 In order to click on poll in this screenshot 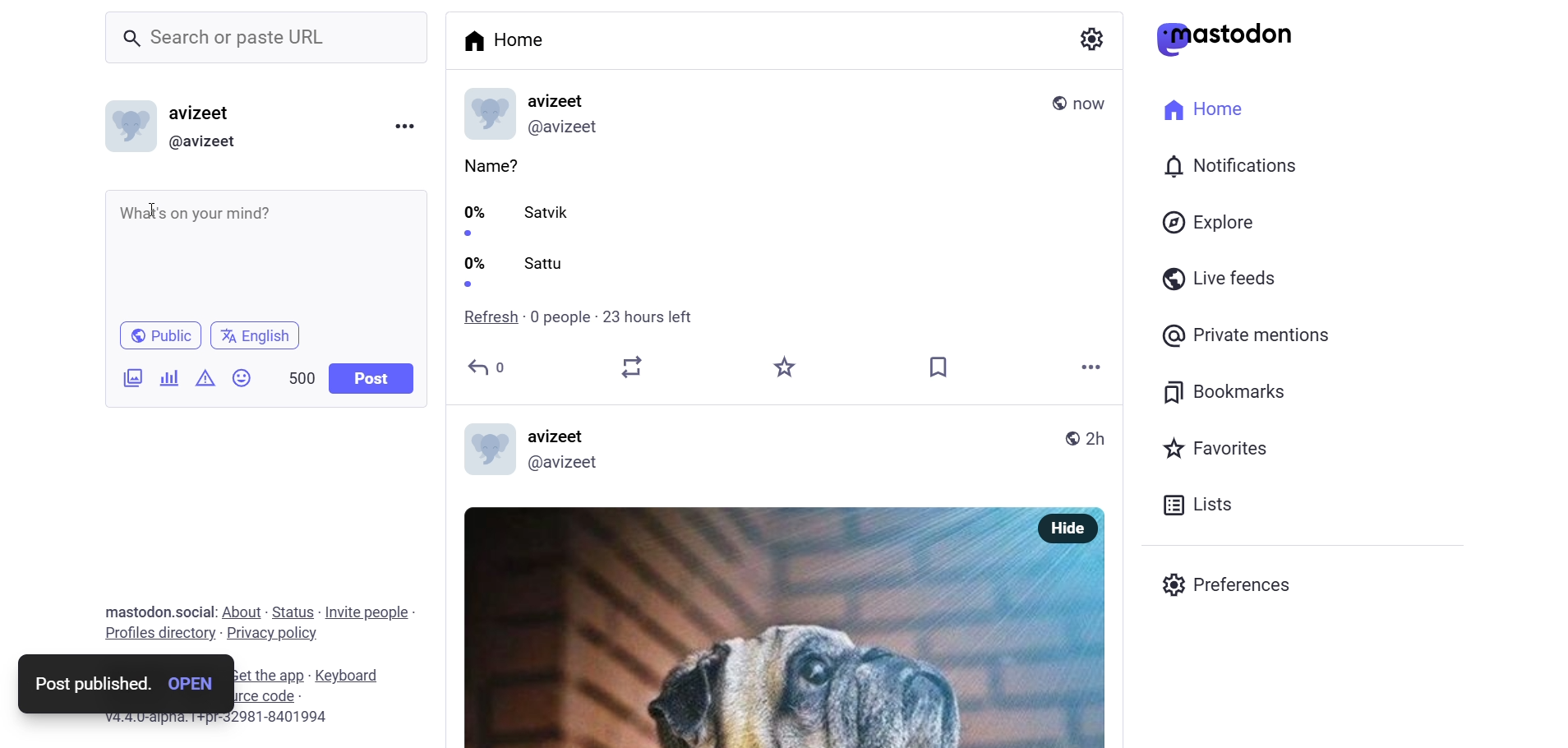, I will do `click(172, 378)`.